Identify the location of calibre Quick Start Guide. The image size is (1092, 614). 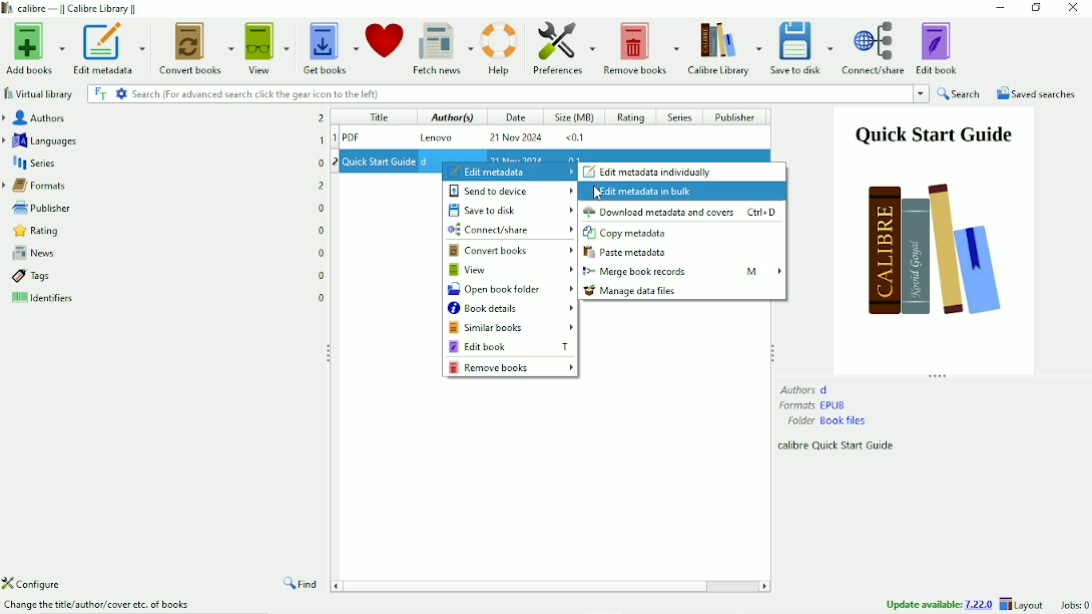
(838, 446).